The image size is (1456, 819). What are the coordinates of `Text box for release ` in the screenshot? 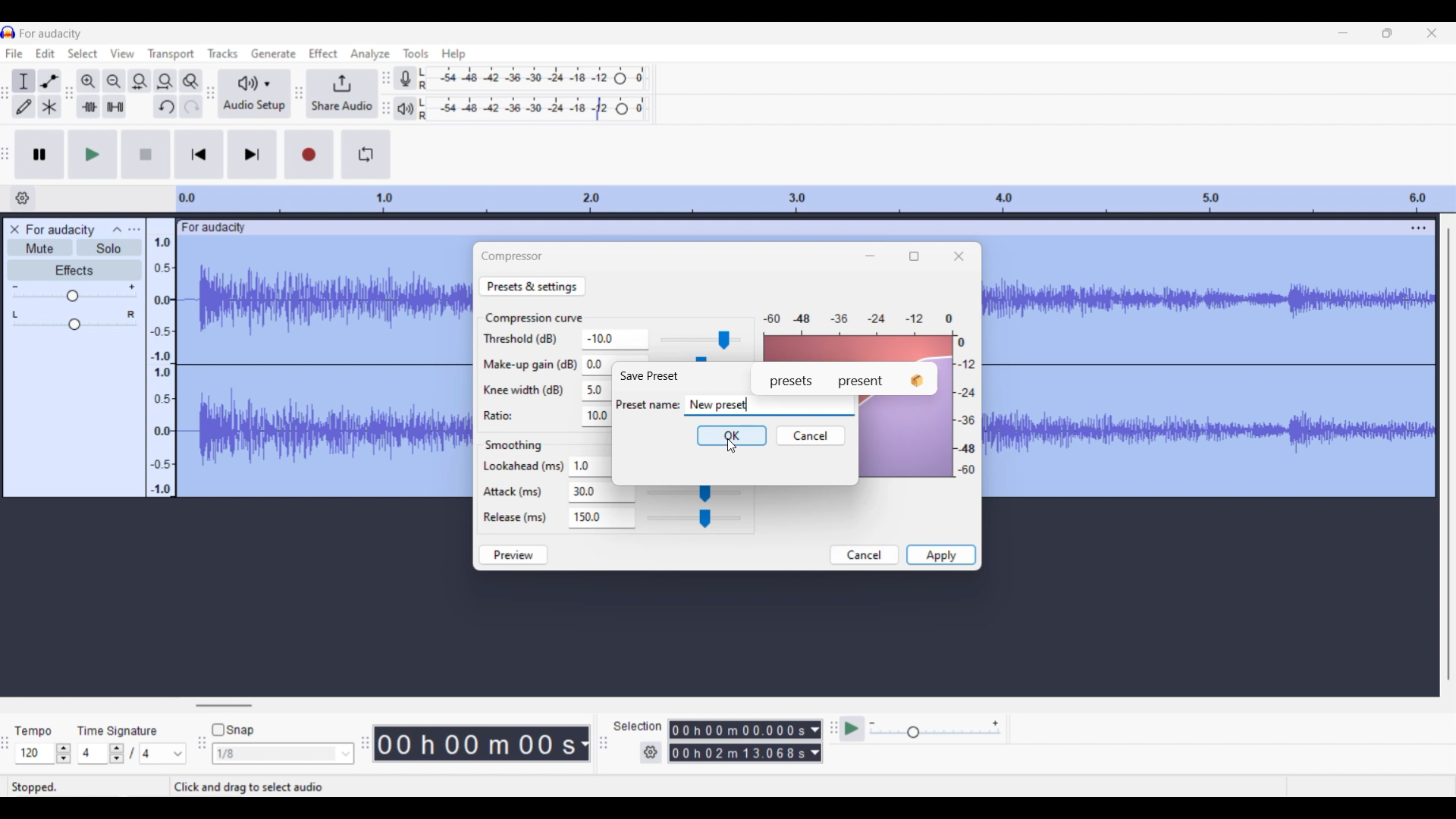 It's located at (607, 517).